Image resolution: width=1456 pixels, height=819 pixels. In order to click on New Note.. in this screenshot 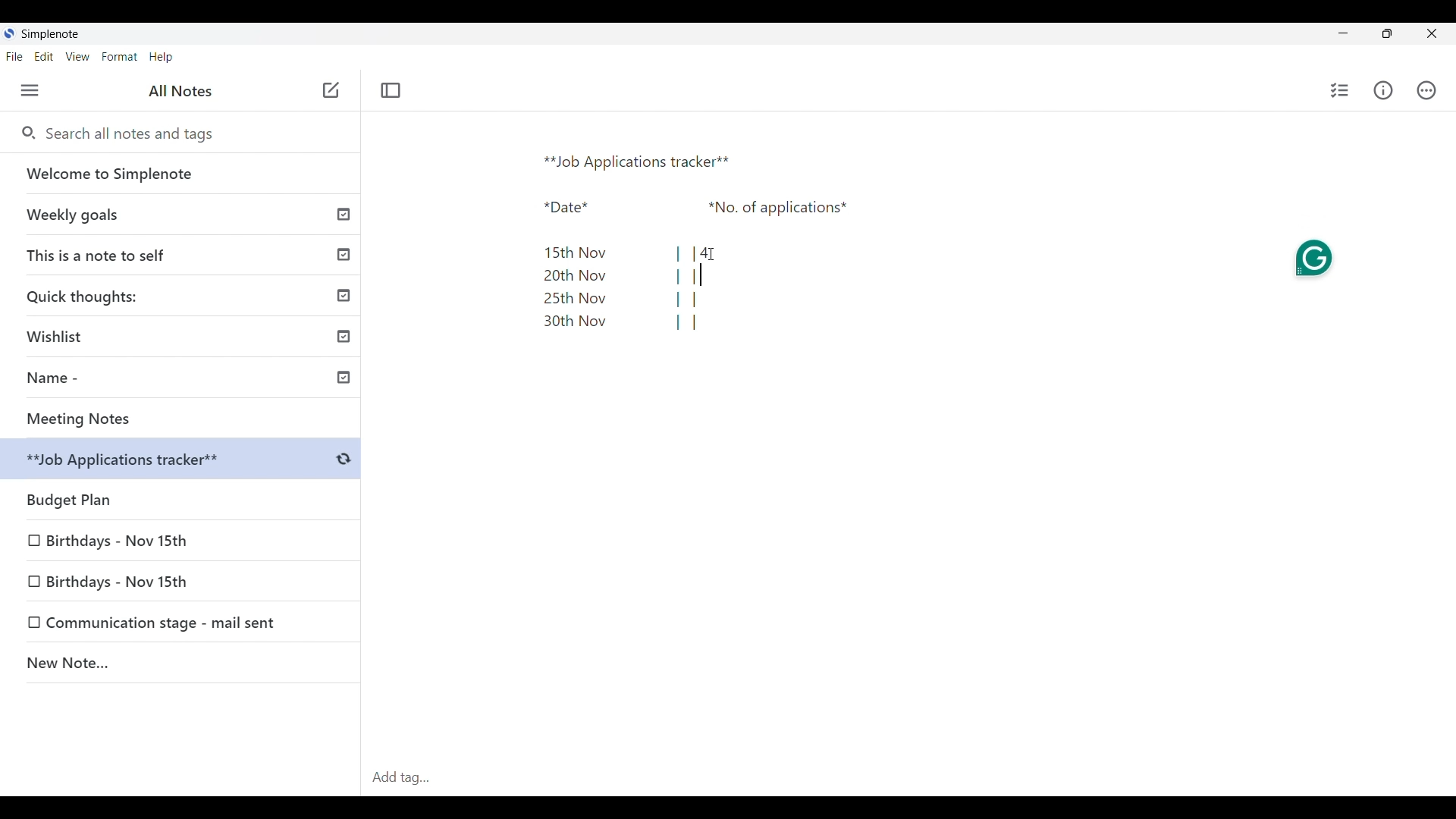, I will do `click(181, 665)`.